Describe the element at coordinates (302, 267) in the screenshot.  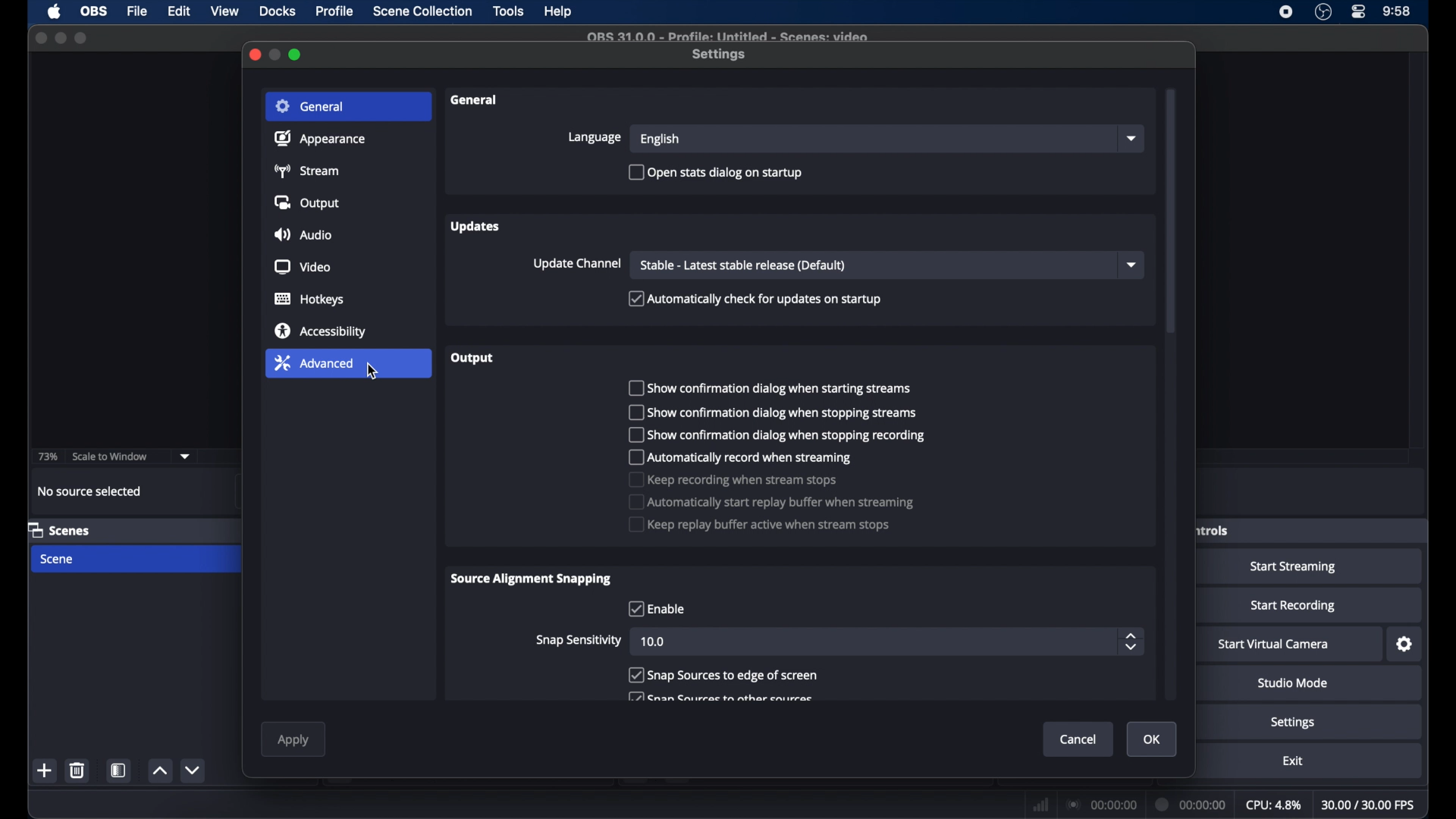
I see `video` at that location.